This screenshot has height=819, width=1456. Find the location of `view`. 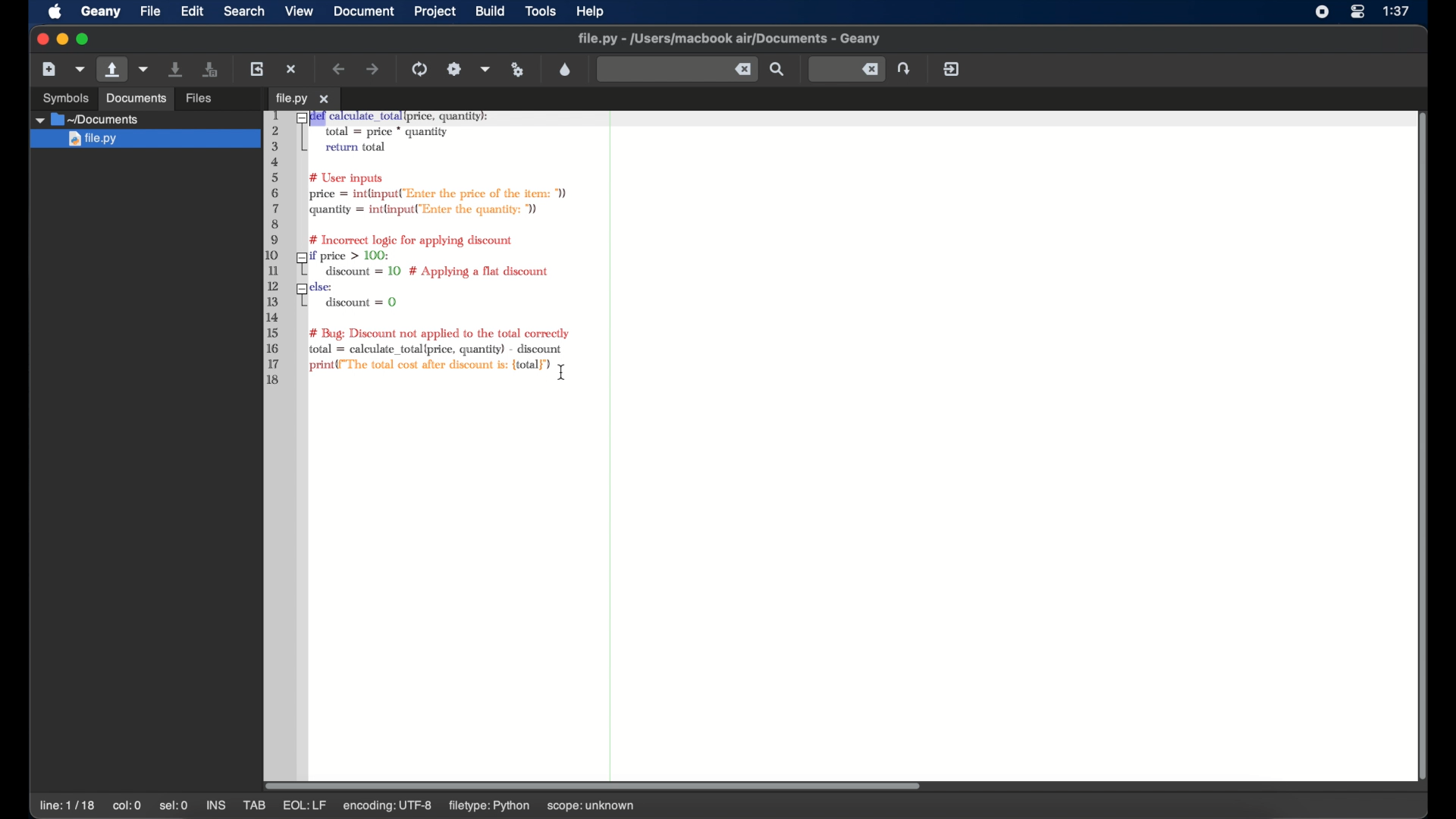

view is located at coordinates (300, 10).